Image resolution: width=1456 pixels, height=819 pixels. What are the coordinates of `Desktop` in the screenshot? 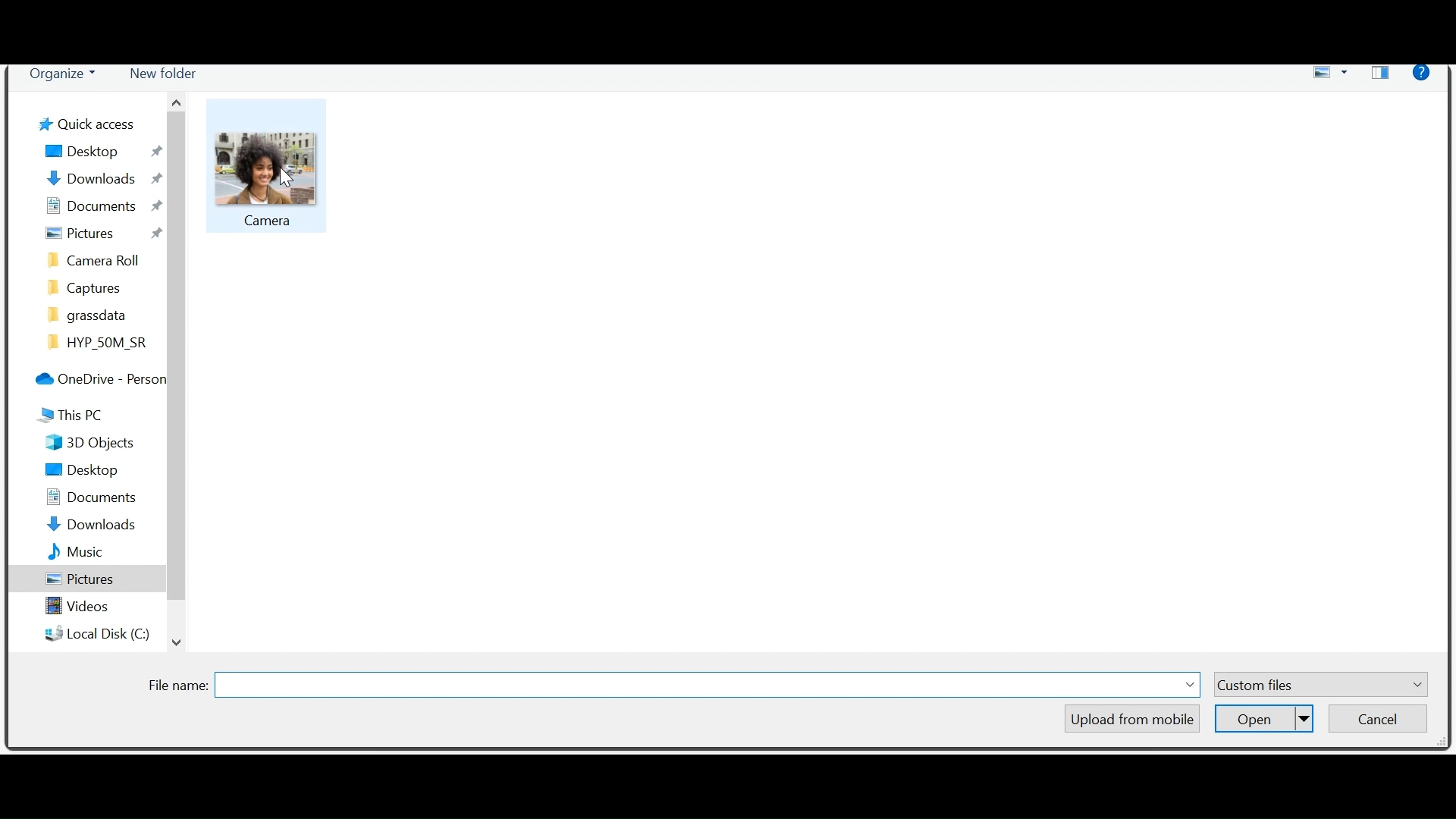 It's located at (89, 470).